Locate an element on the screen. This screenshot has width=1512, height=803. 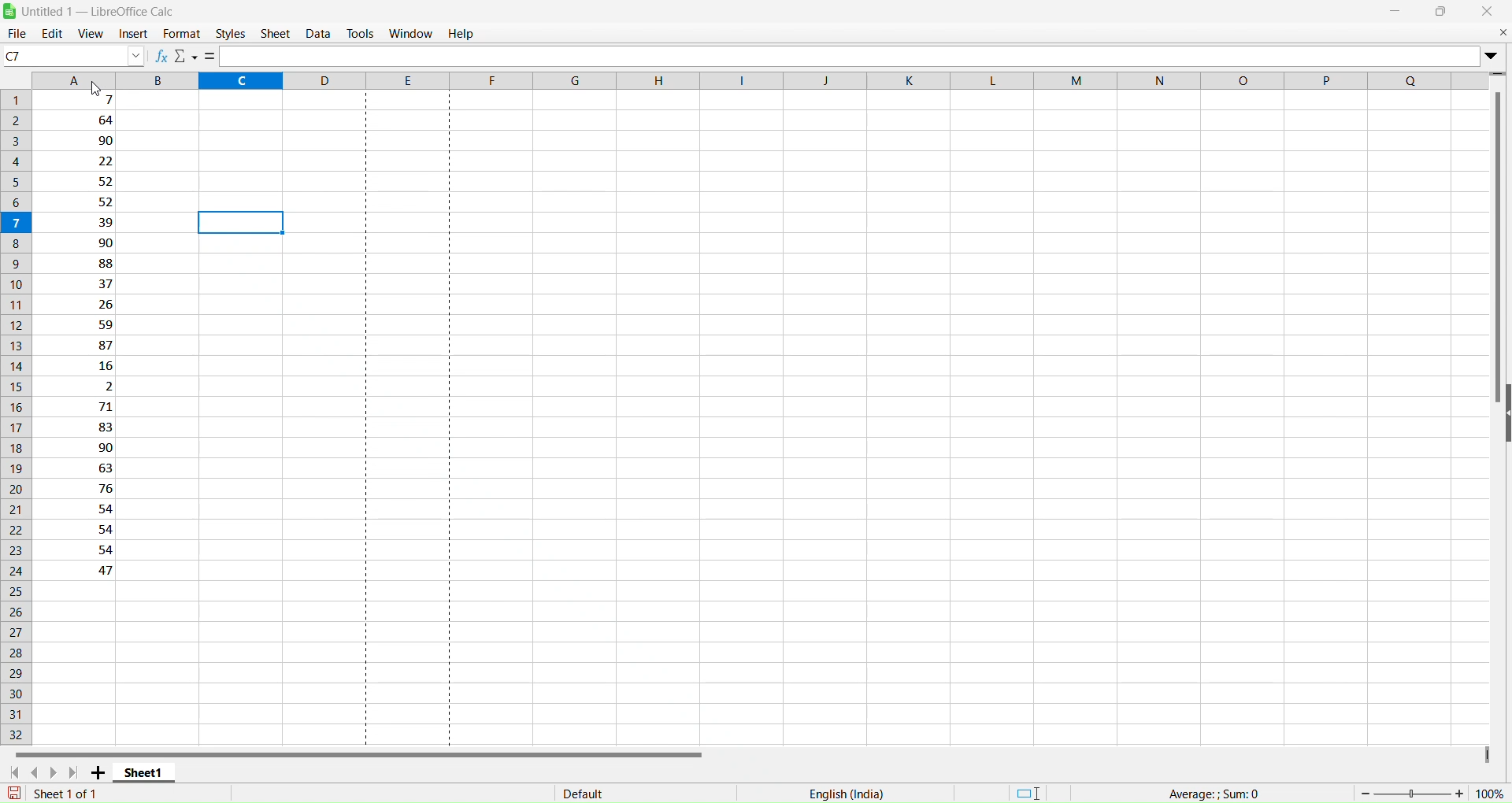
View is located at coordinates (91, 31).